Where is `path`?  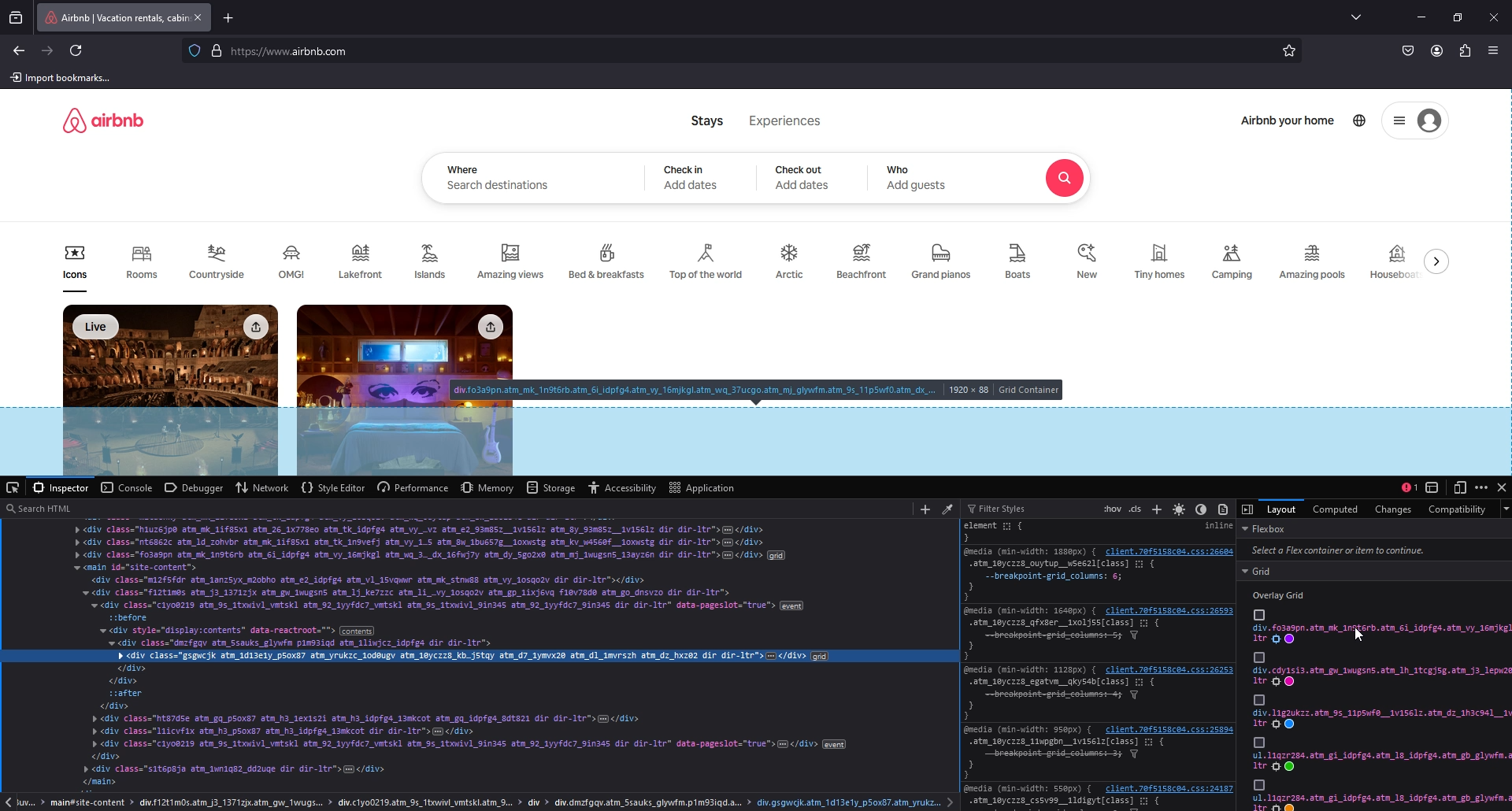
path is located at coordinates (482, 802).